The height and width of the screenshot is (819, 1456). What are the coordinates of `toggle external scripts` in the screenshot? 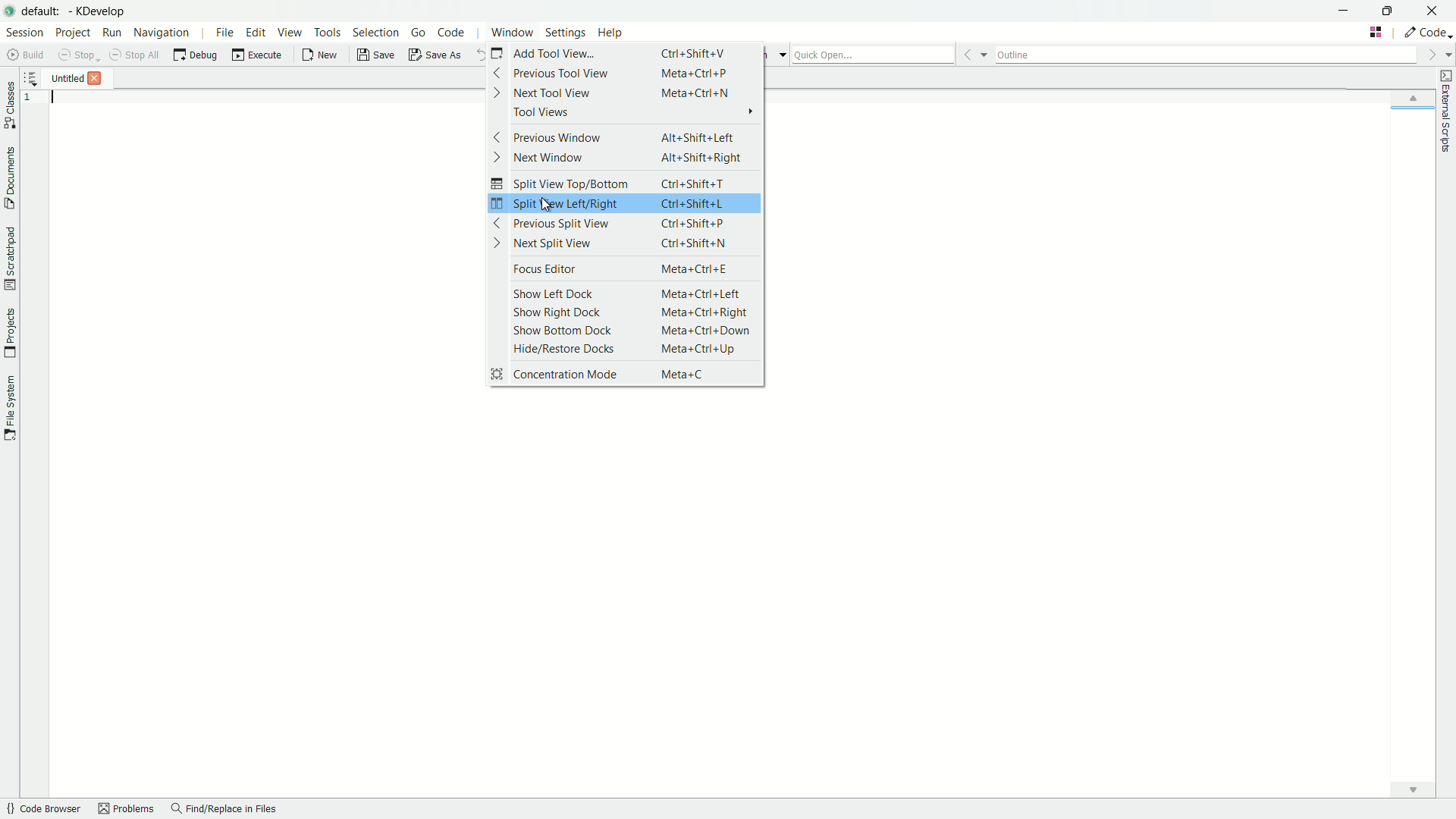 It's located at (1447, 110).